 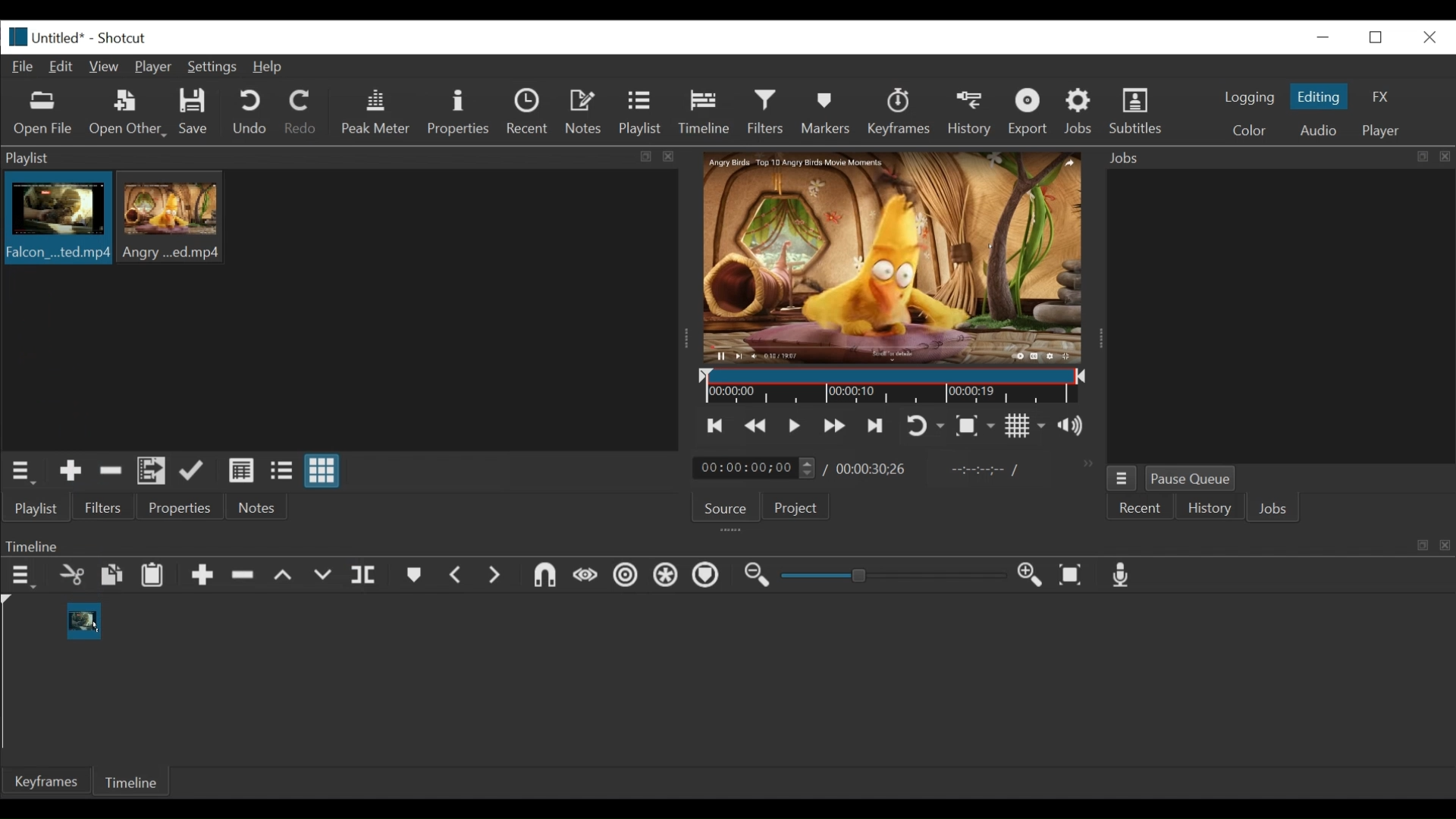 I want to click on Player, so click(x=157, y=68).